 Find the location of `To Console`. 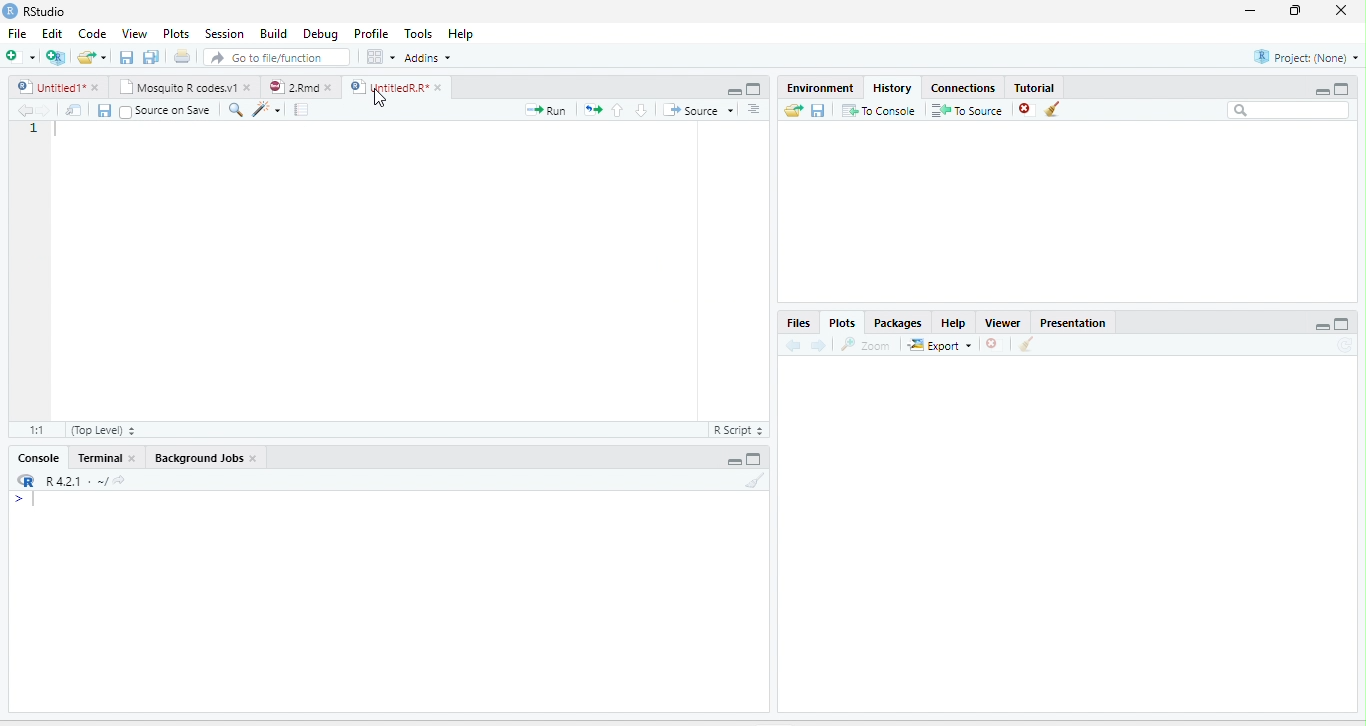

To Console is located at coordinates (878, 110).